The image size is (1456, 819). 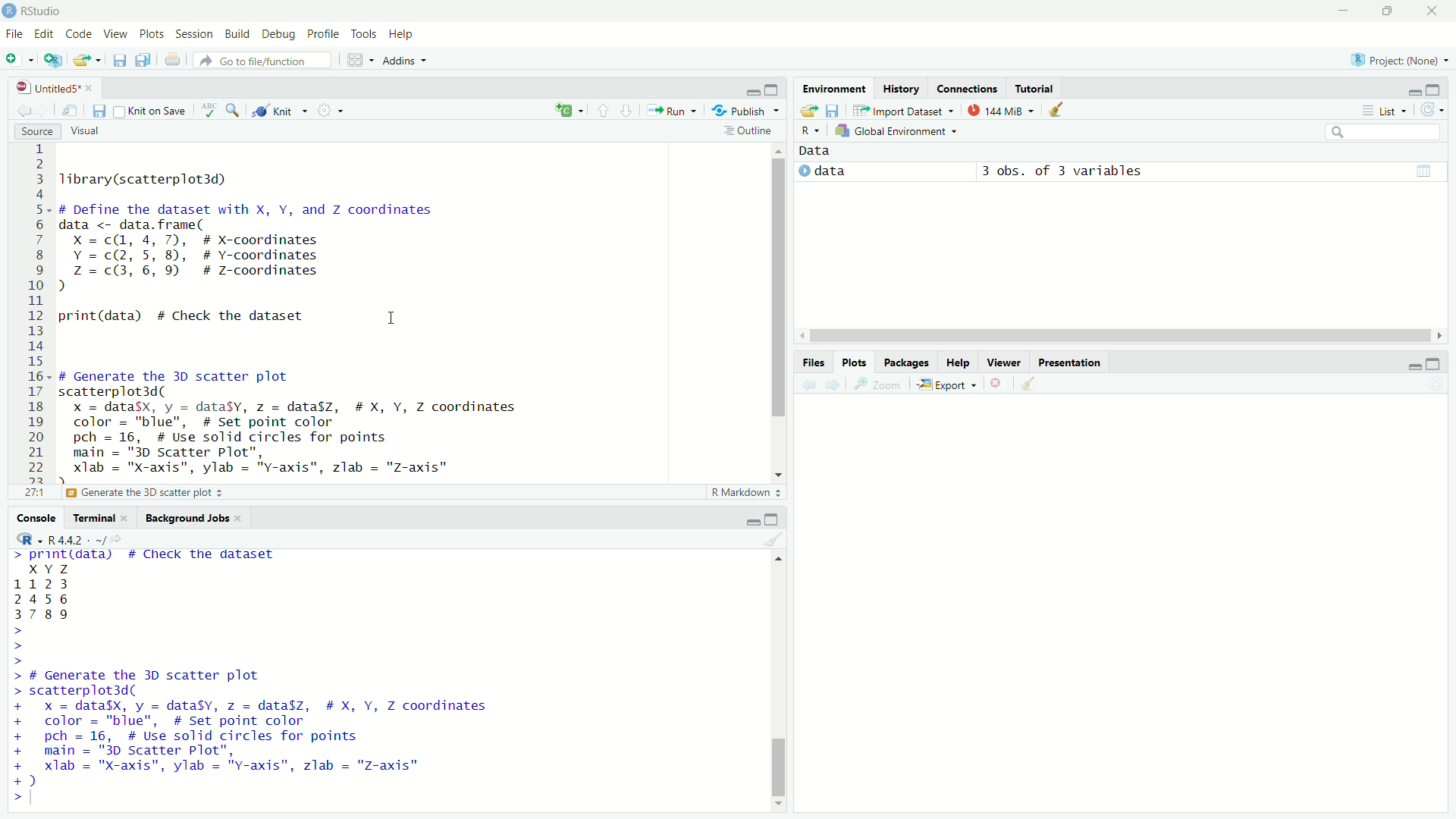 What do you see at coordinates (245, 521) in the screenshot?
I see `close` at bounding box center [245, 521].